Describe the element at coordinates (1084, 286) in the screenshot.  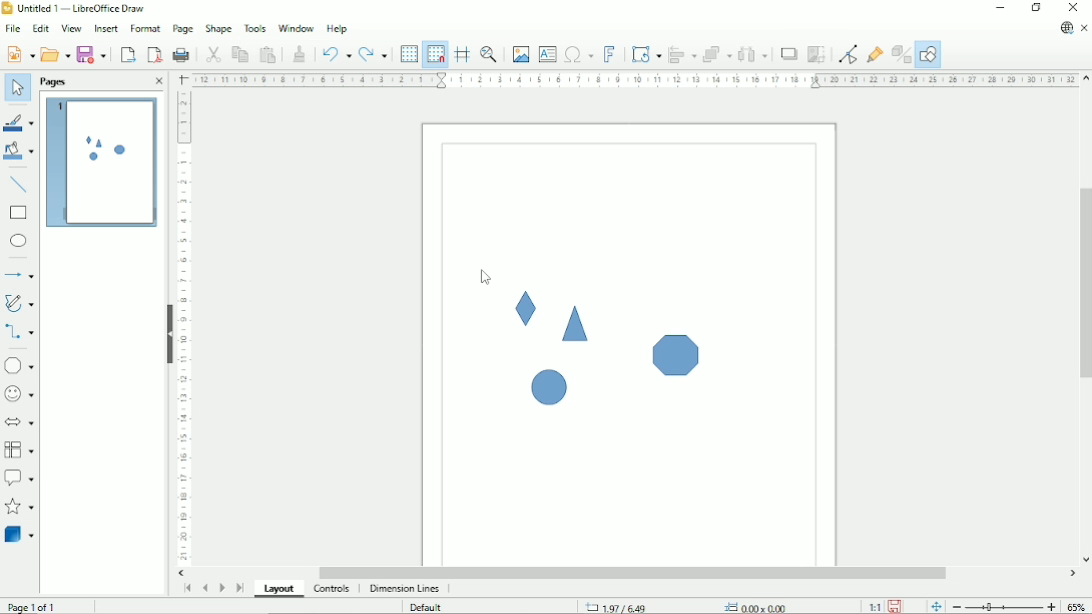
I see `Vertical scrollbar` at that location.